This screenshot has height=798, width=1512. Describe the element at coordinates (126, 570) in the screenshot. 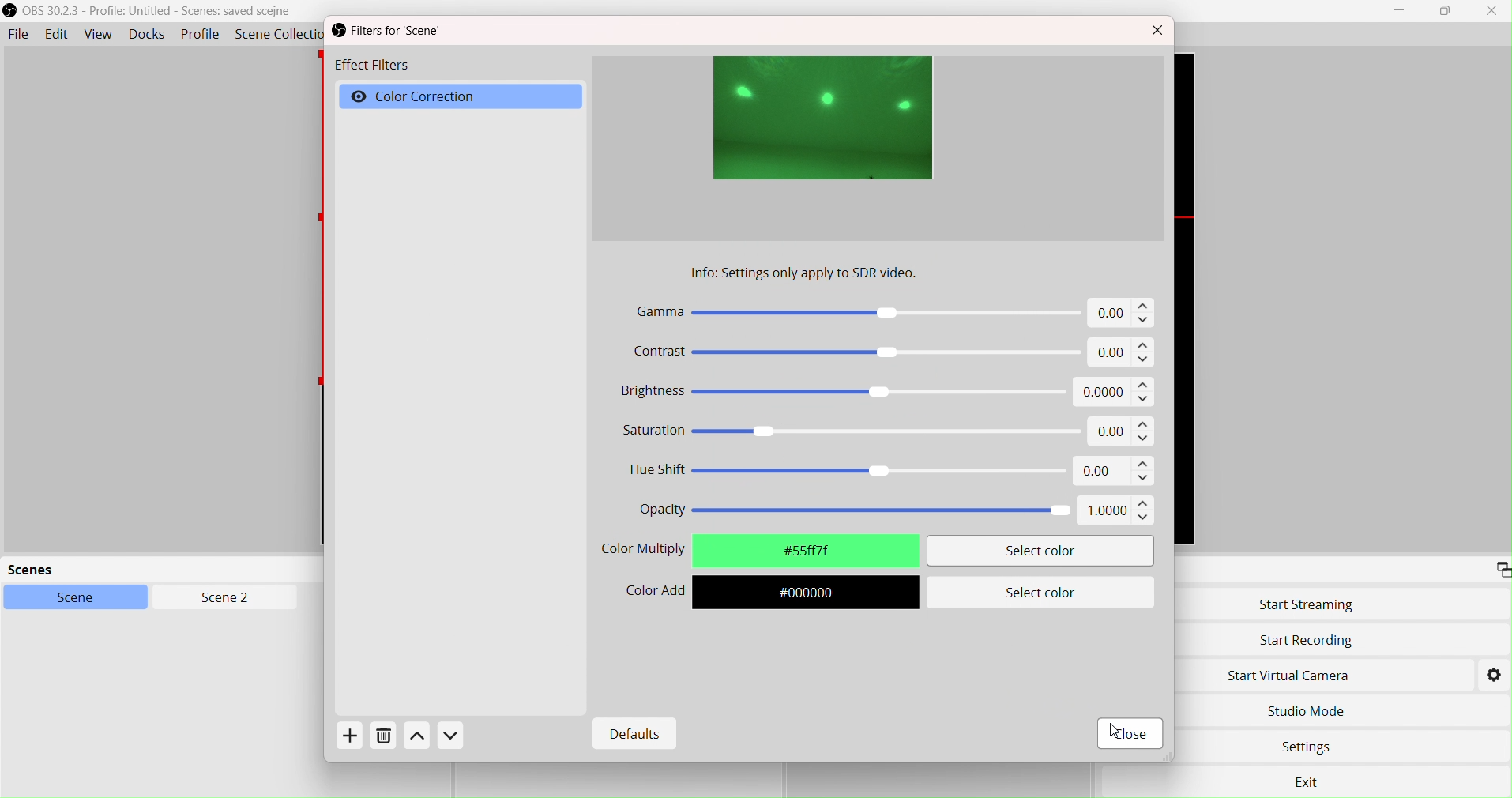

I see `scenes` at that location.